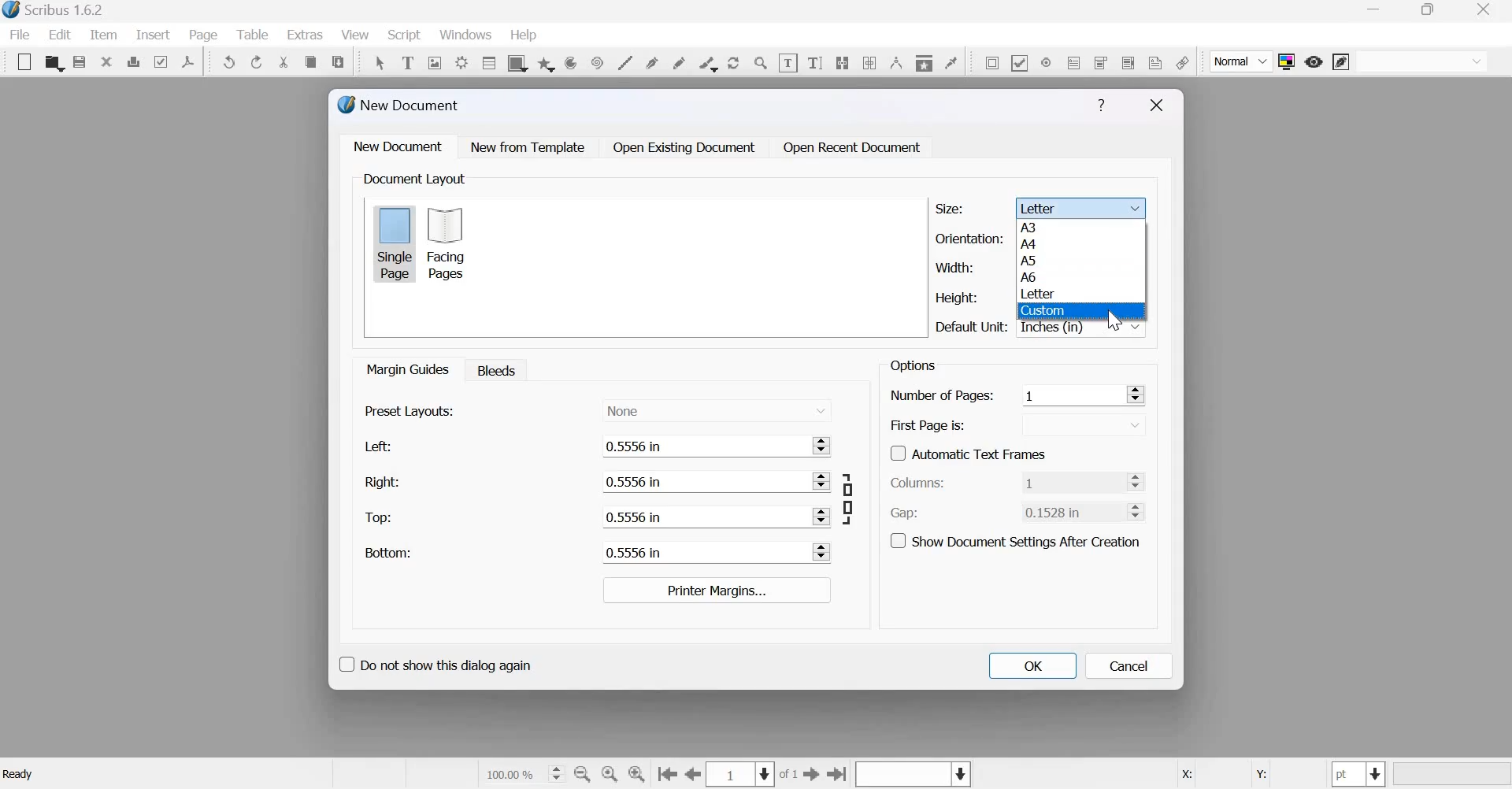 Image resolution: width=1512 pixels, height=789 pixels. I want to click on Size: , so click(950, 209).